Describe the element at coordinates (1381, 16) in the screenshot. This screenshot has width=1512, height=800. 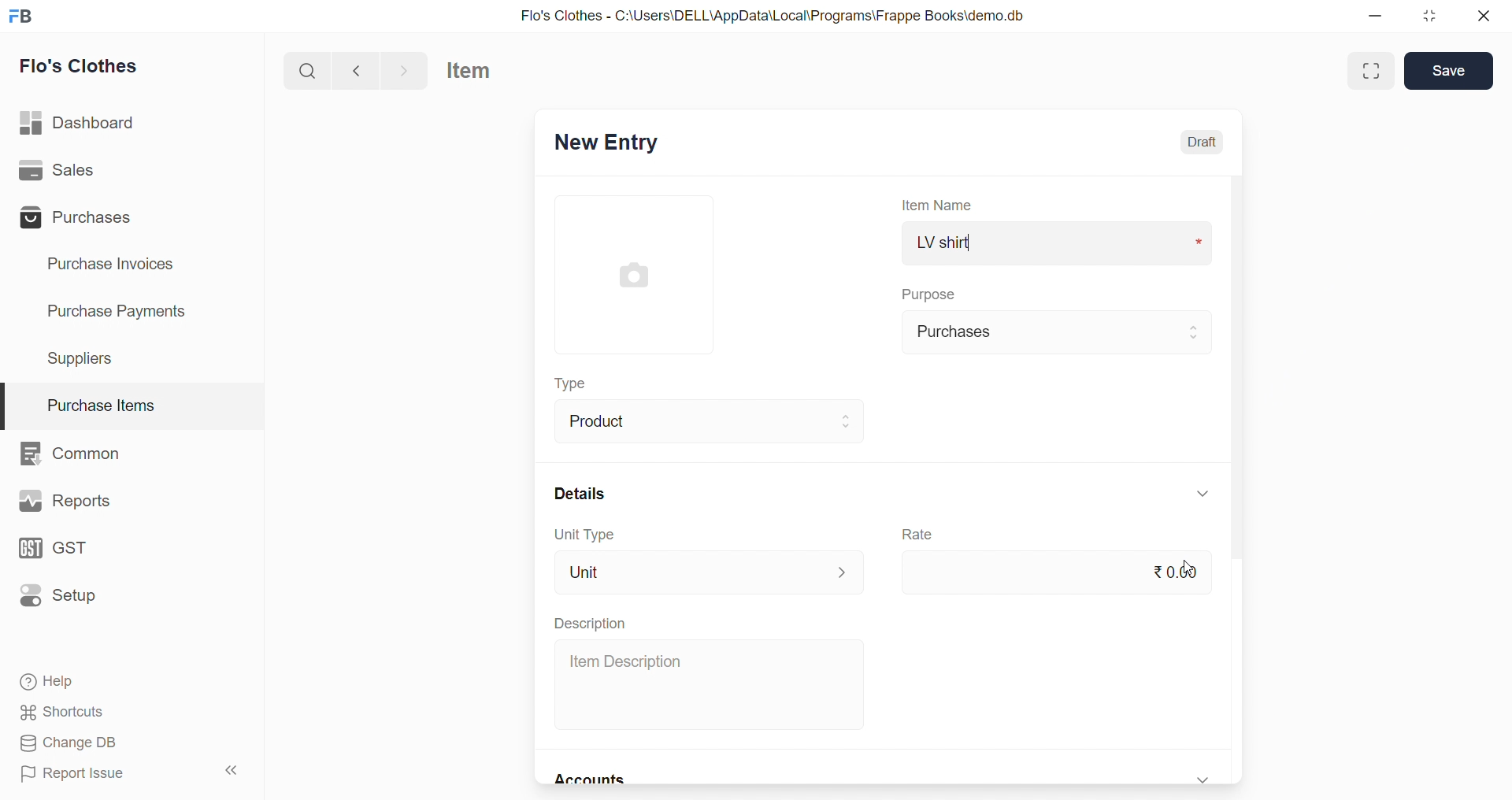
I see `minimize` at that location.